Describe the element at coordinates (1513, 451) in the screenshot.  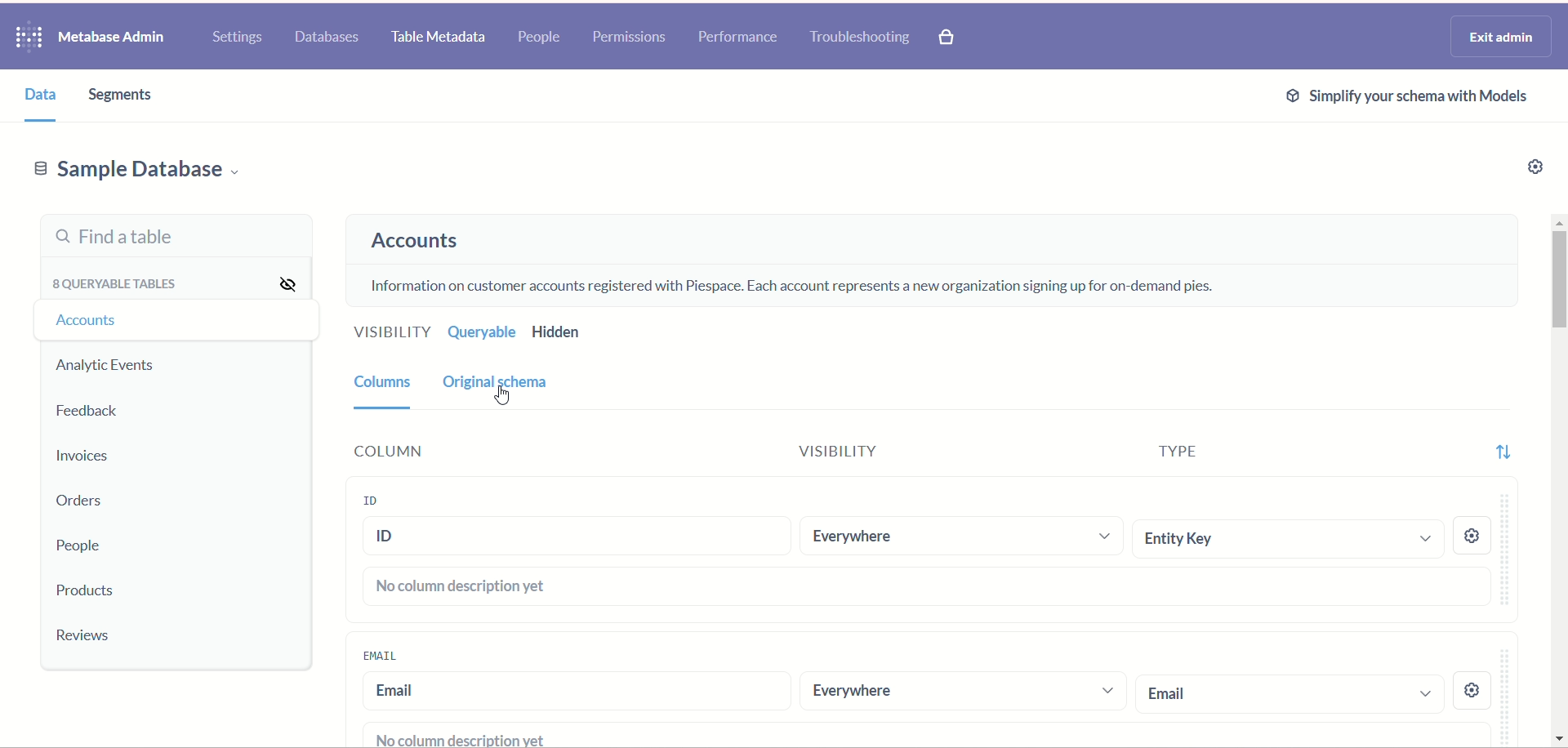
I see `sort` at that location.